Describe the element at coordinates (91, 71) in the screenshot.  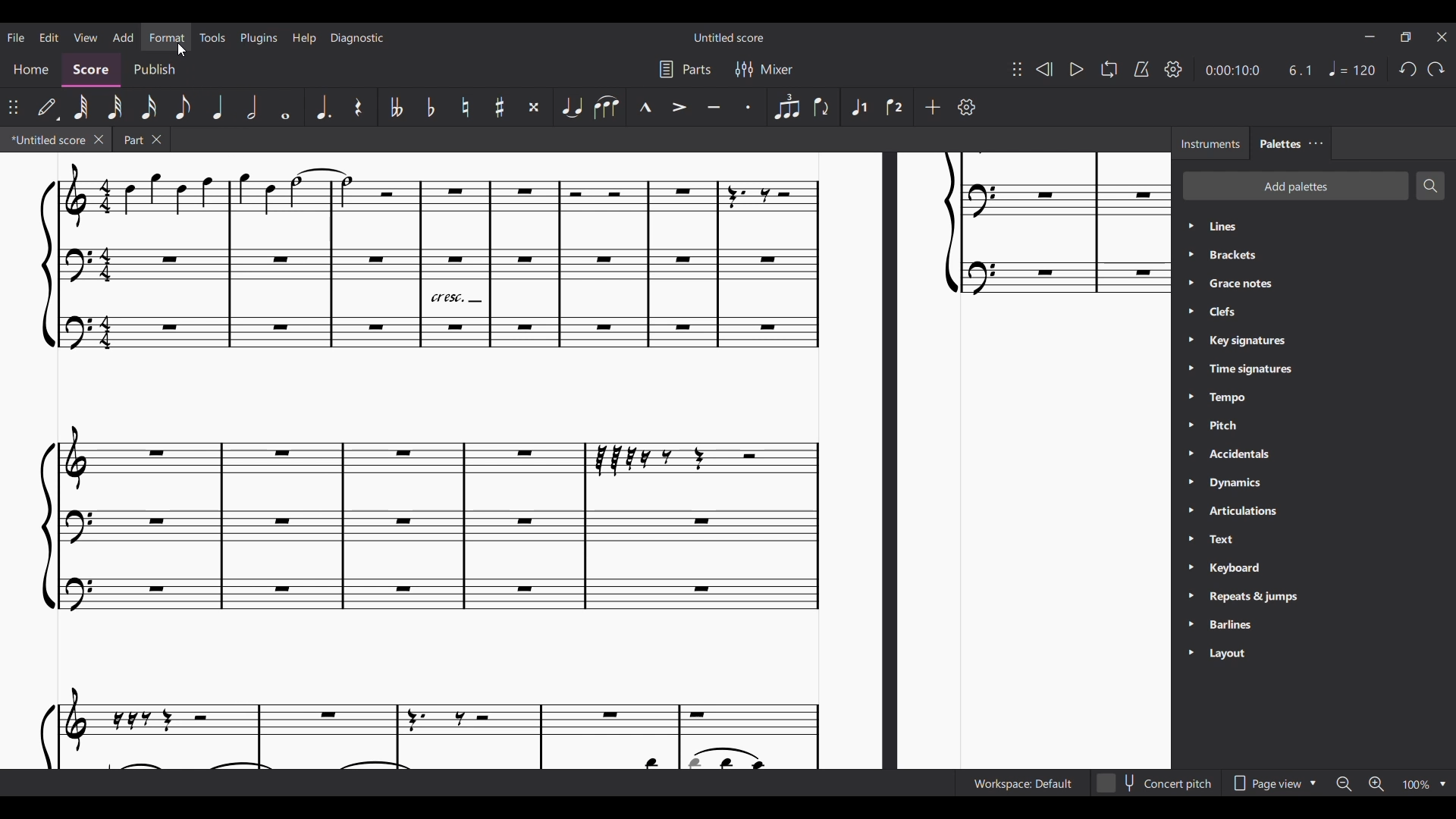
I see `Score, current section highlighted` at that location.